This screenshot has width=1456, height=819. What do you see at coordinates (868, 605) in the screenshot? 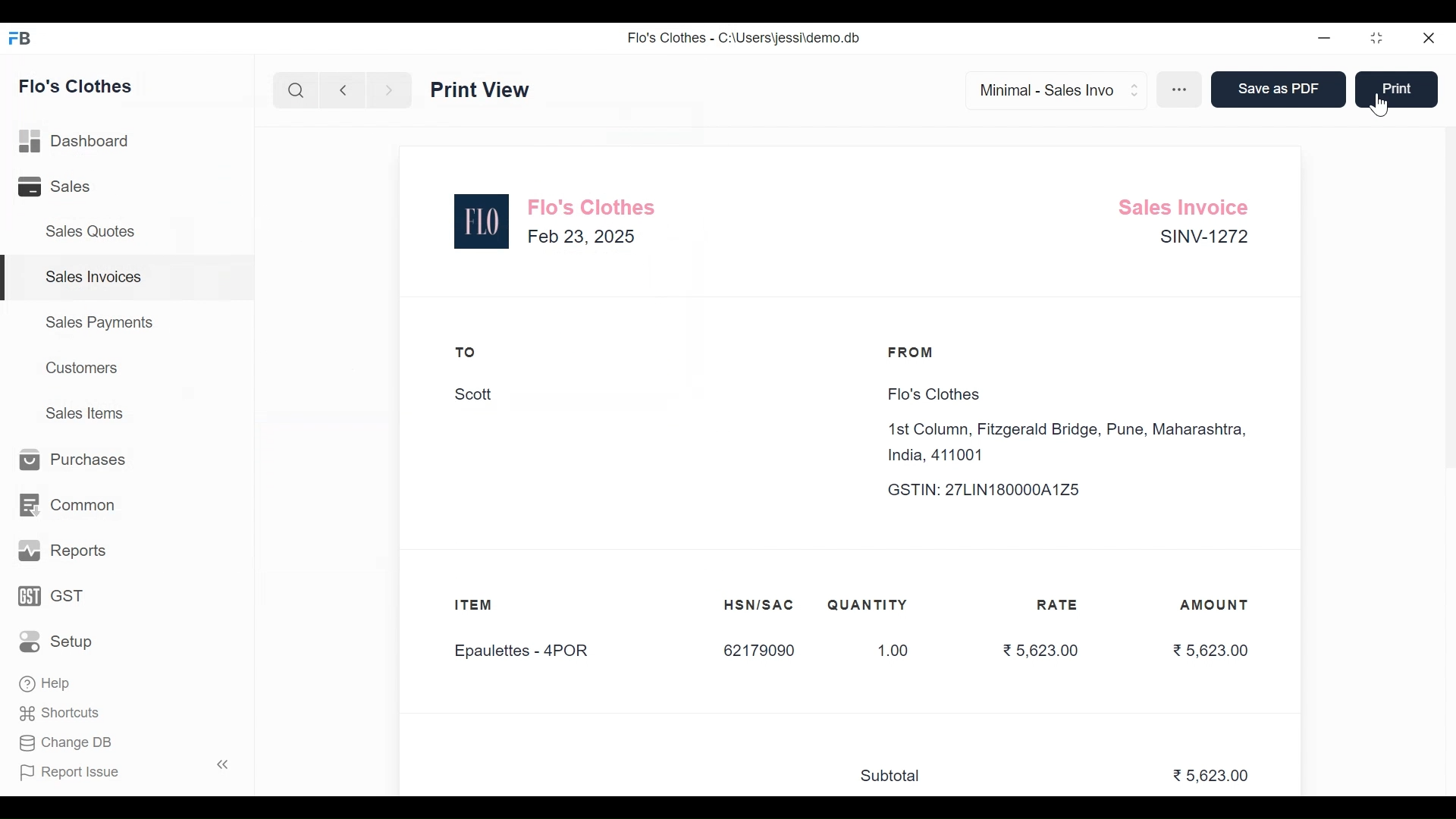
I see `QUANTITY` at bounding box center [868, 605].